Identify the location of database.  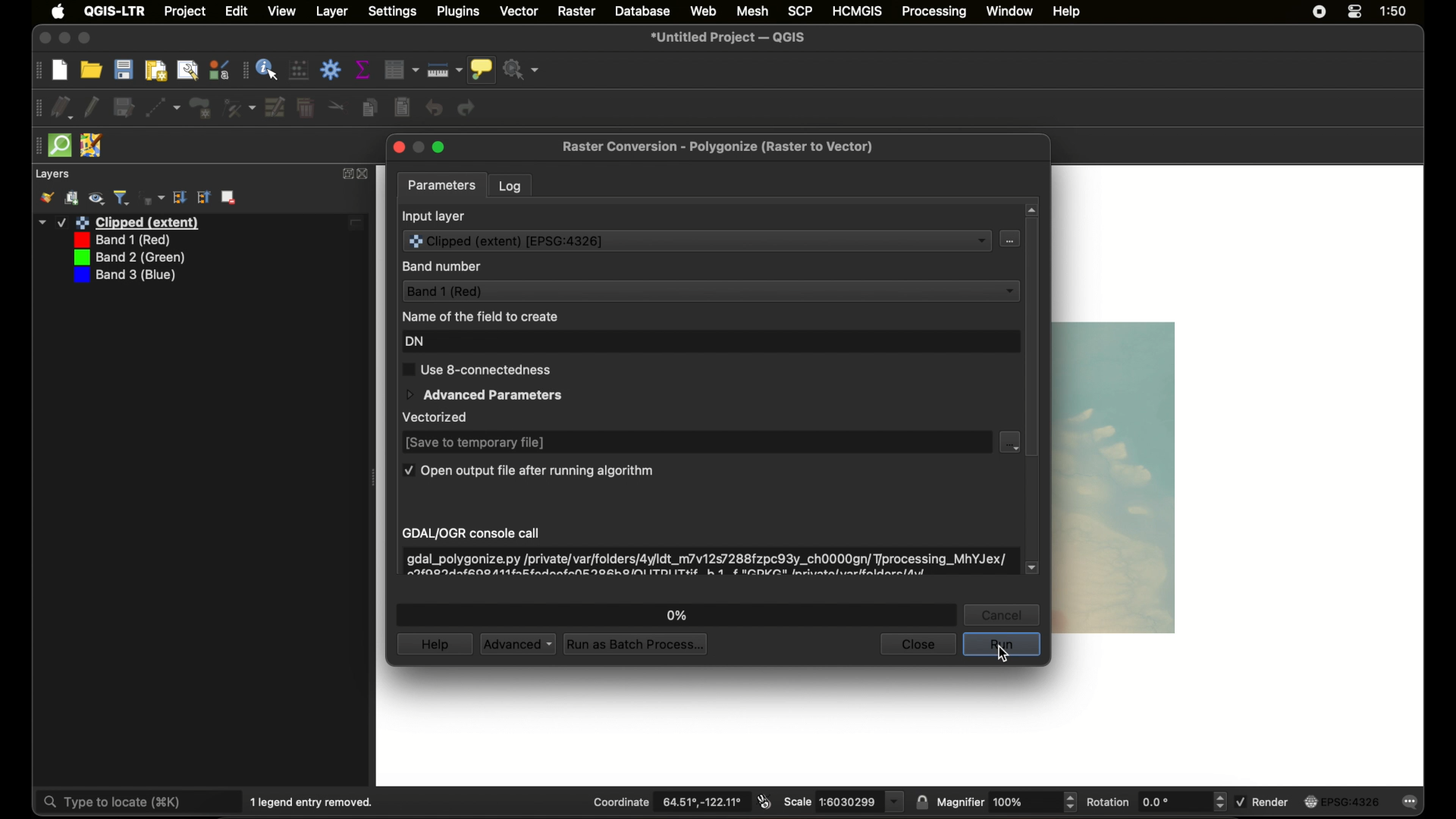
(642, 11).